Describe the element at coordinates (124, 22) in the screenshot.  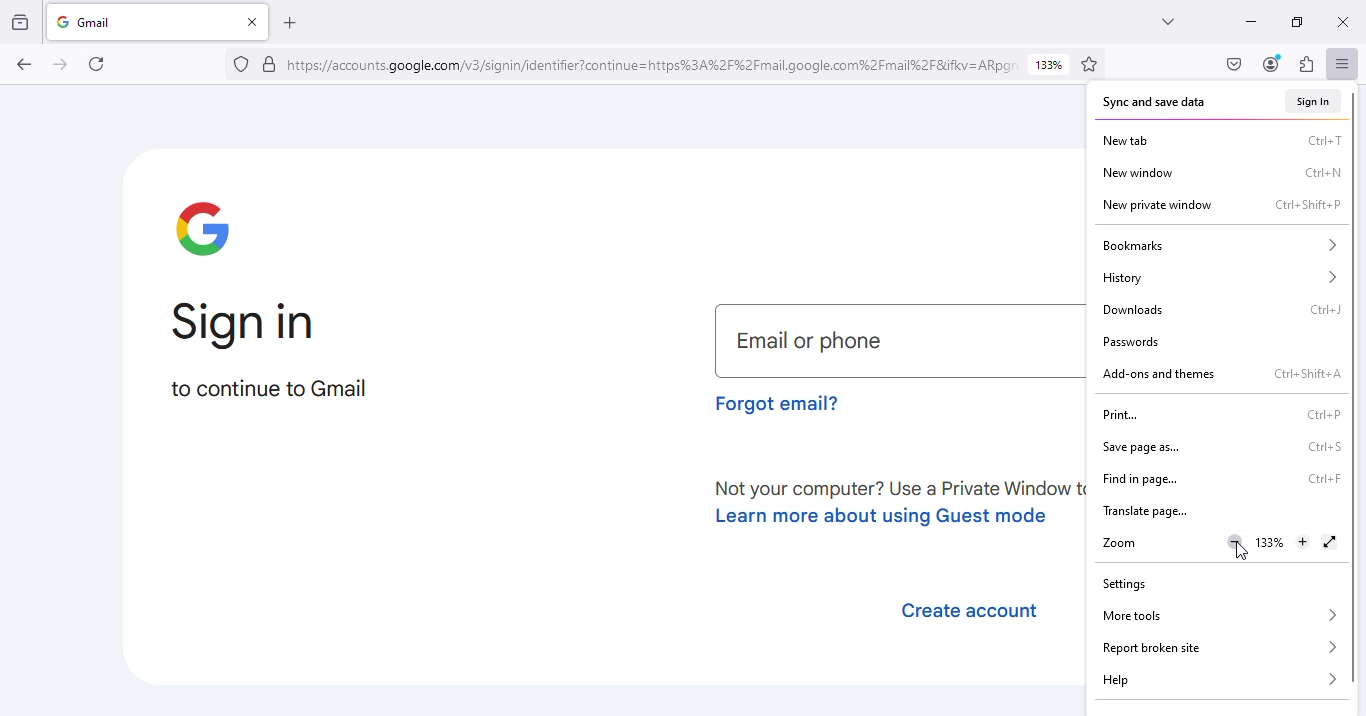
I see `gmail` at that location.